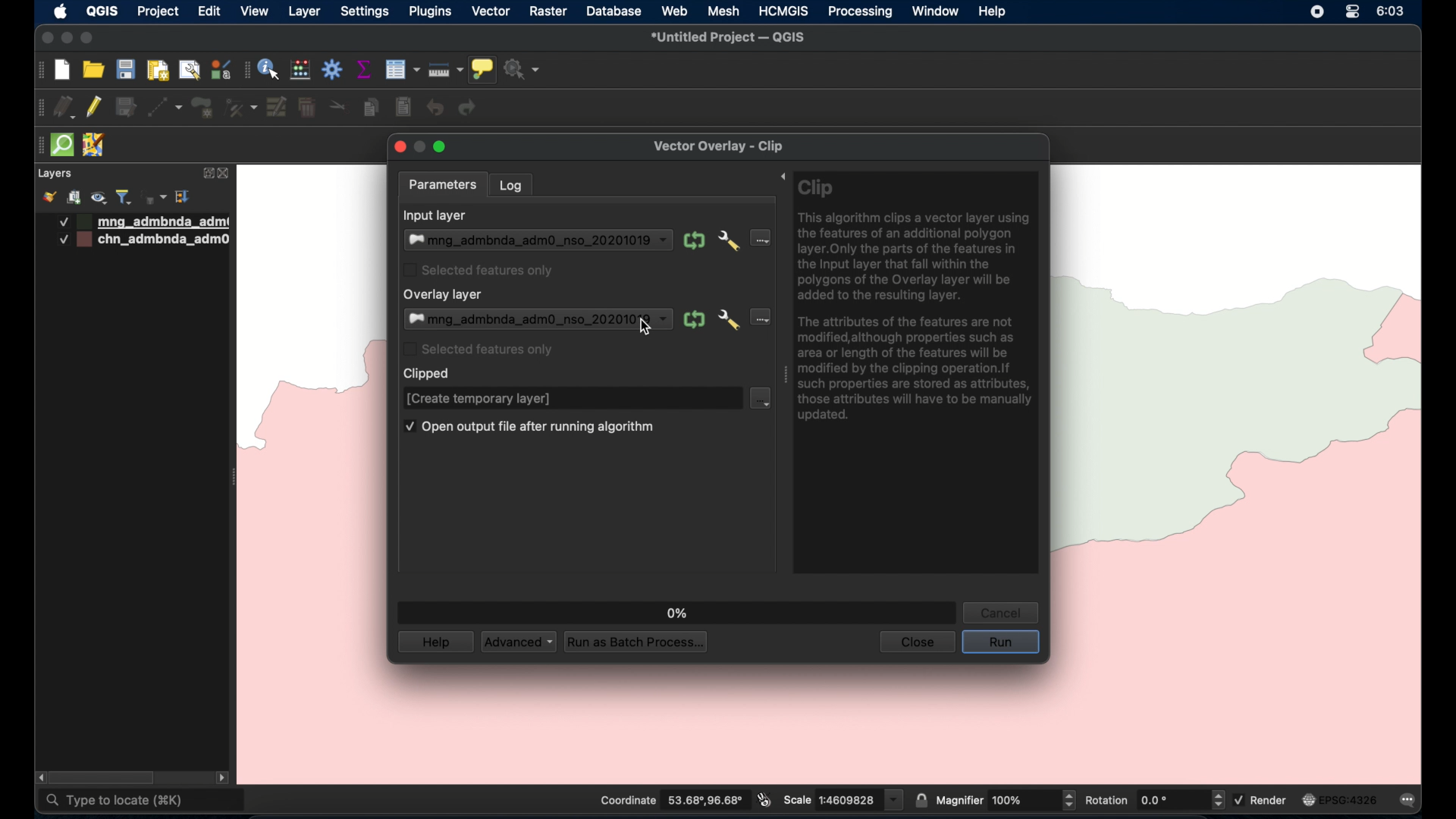  Describe the element at coordinates (124, 197) in the screenshot. I see `filter legend` at that location.